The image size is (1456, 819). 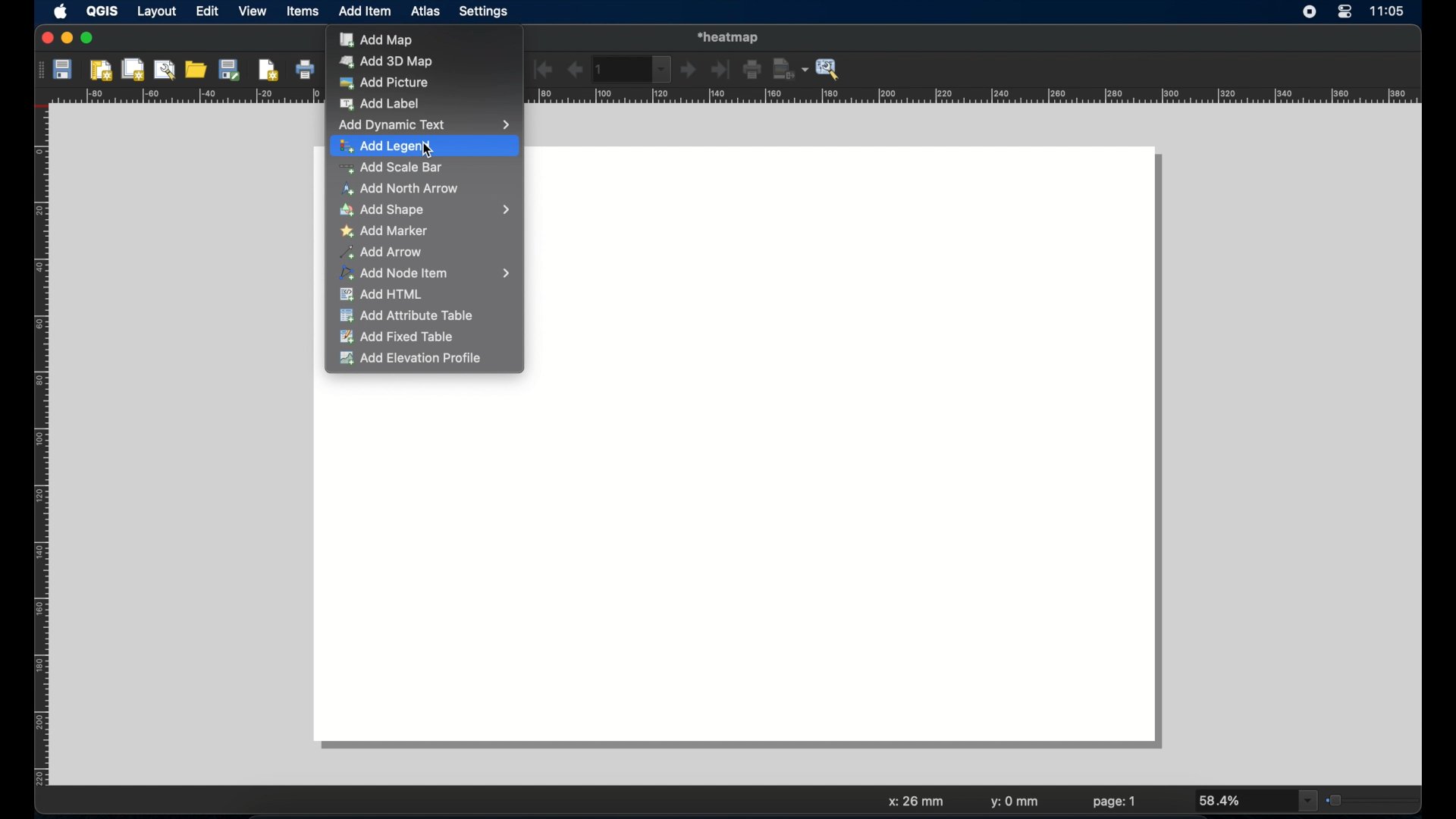 I want to click on Add 3D map, so click(x=386, y=61).